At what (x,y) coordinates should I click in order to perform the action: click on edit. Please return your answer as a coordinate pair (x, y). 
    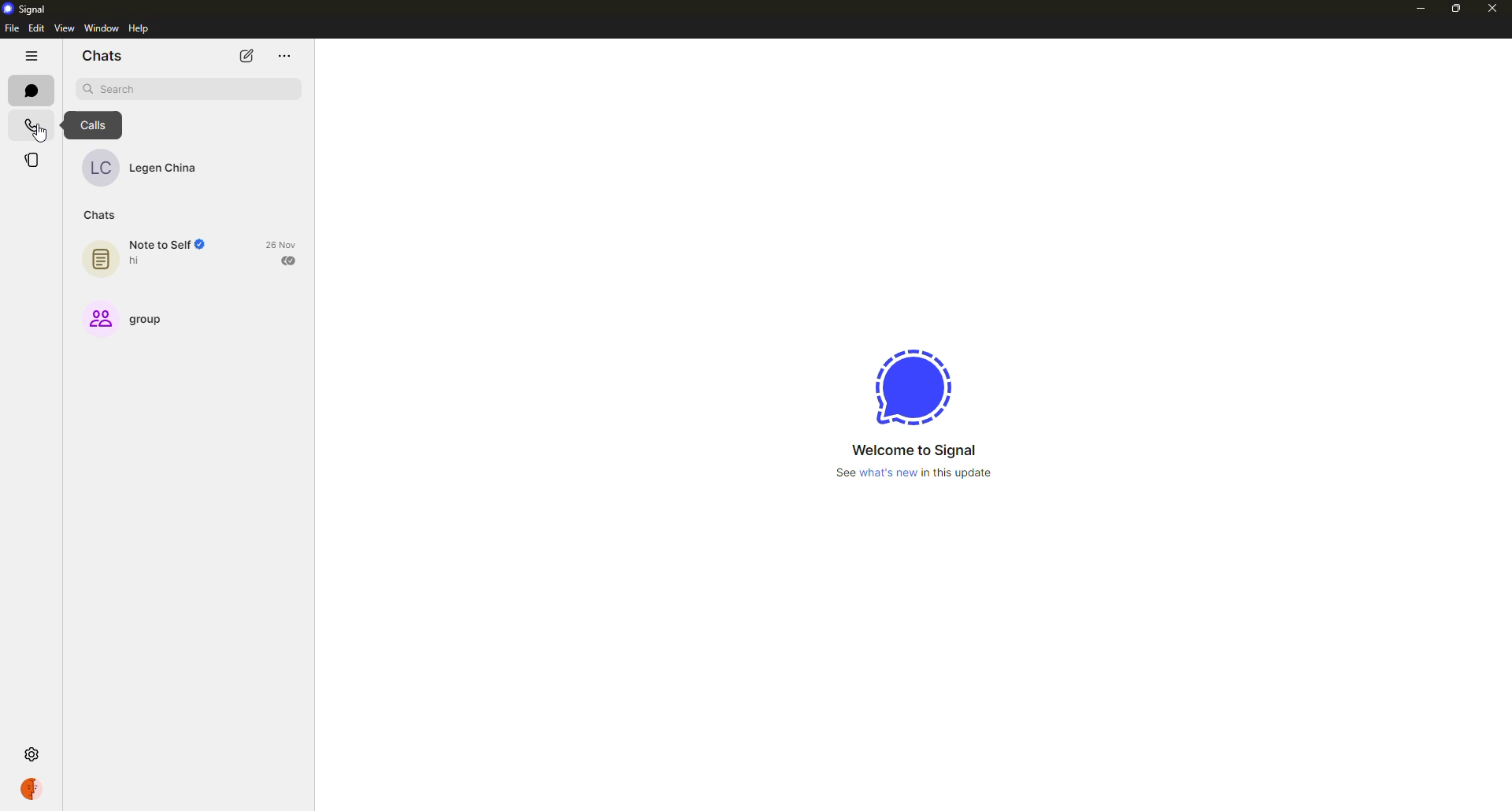
    Looking at the image, I should click on (37, 28).